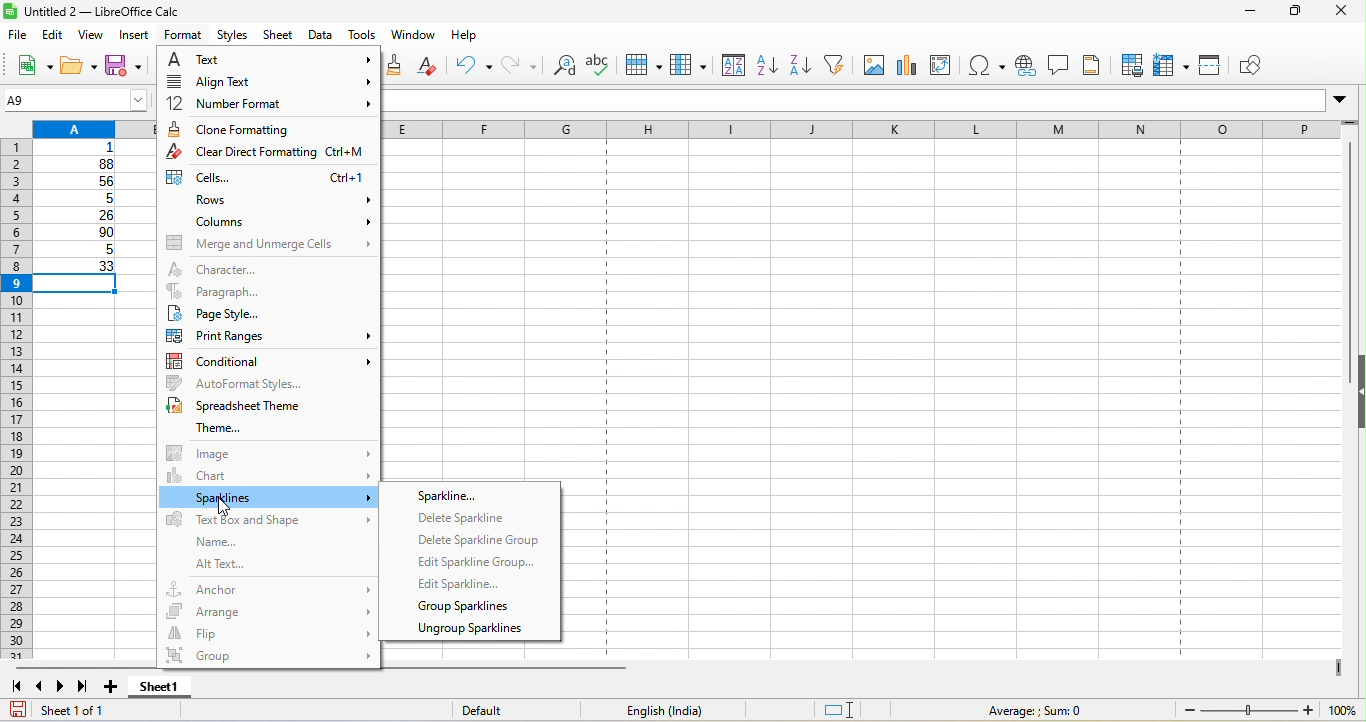 This screenshot has width=1366, height=722. I want to click on column, so click(689, 67).